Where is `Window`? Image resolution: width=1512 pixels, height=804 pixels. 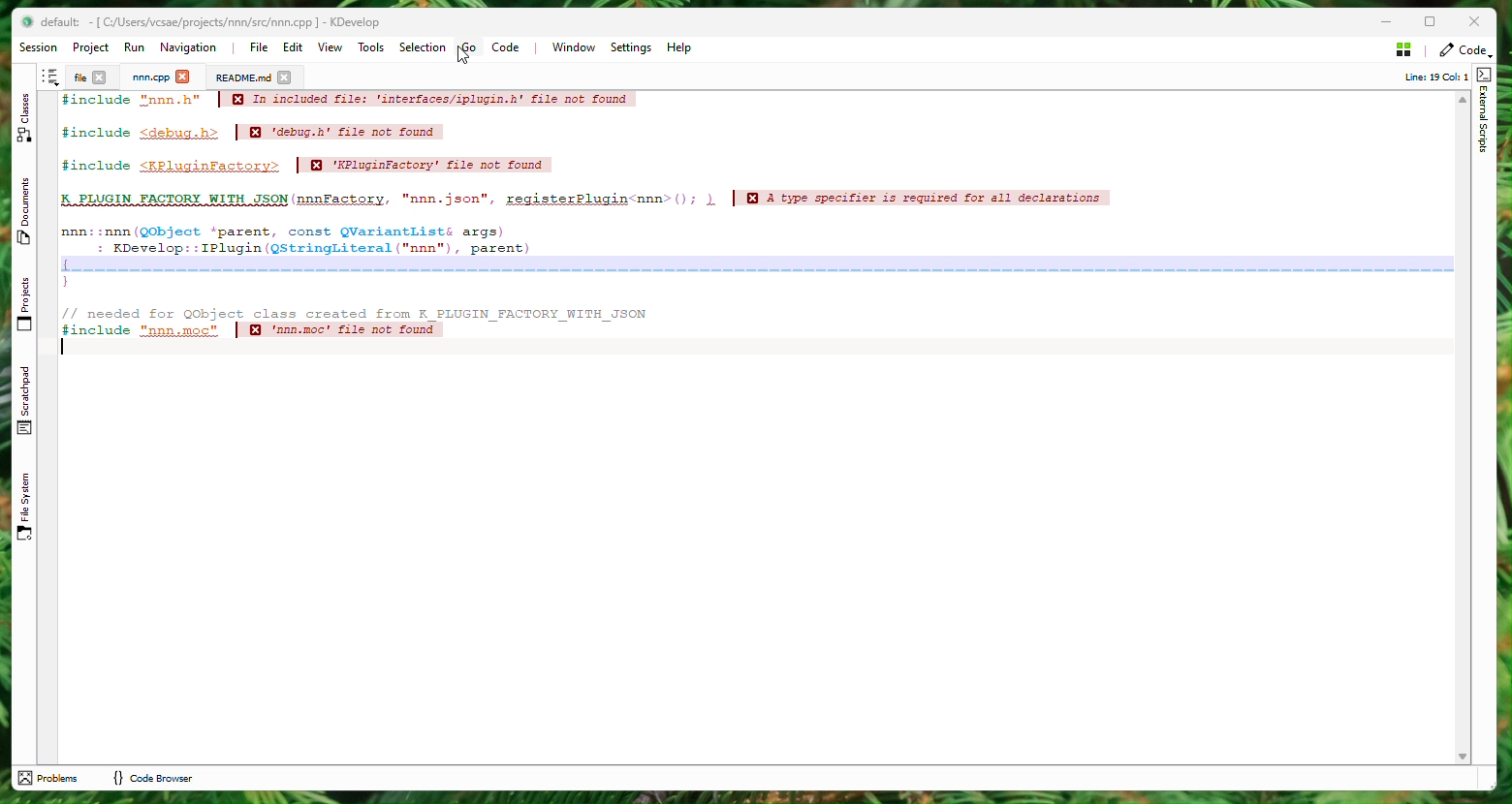 Window is located at coordinates (573, 47).